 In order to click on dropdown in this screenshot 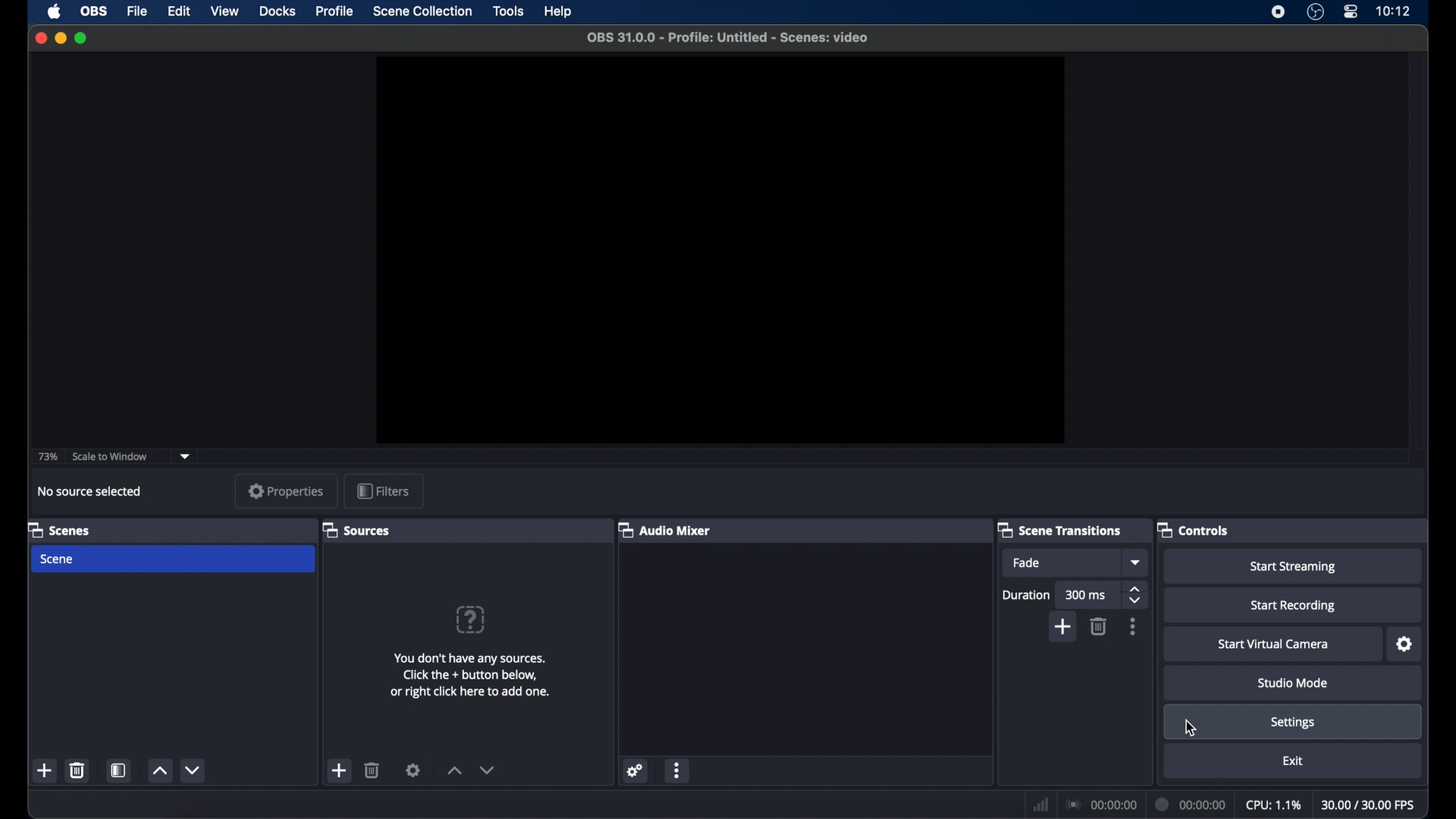, I will do `click(185, 457)`.